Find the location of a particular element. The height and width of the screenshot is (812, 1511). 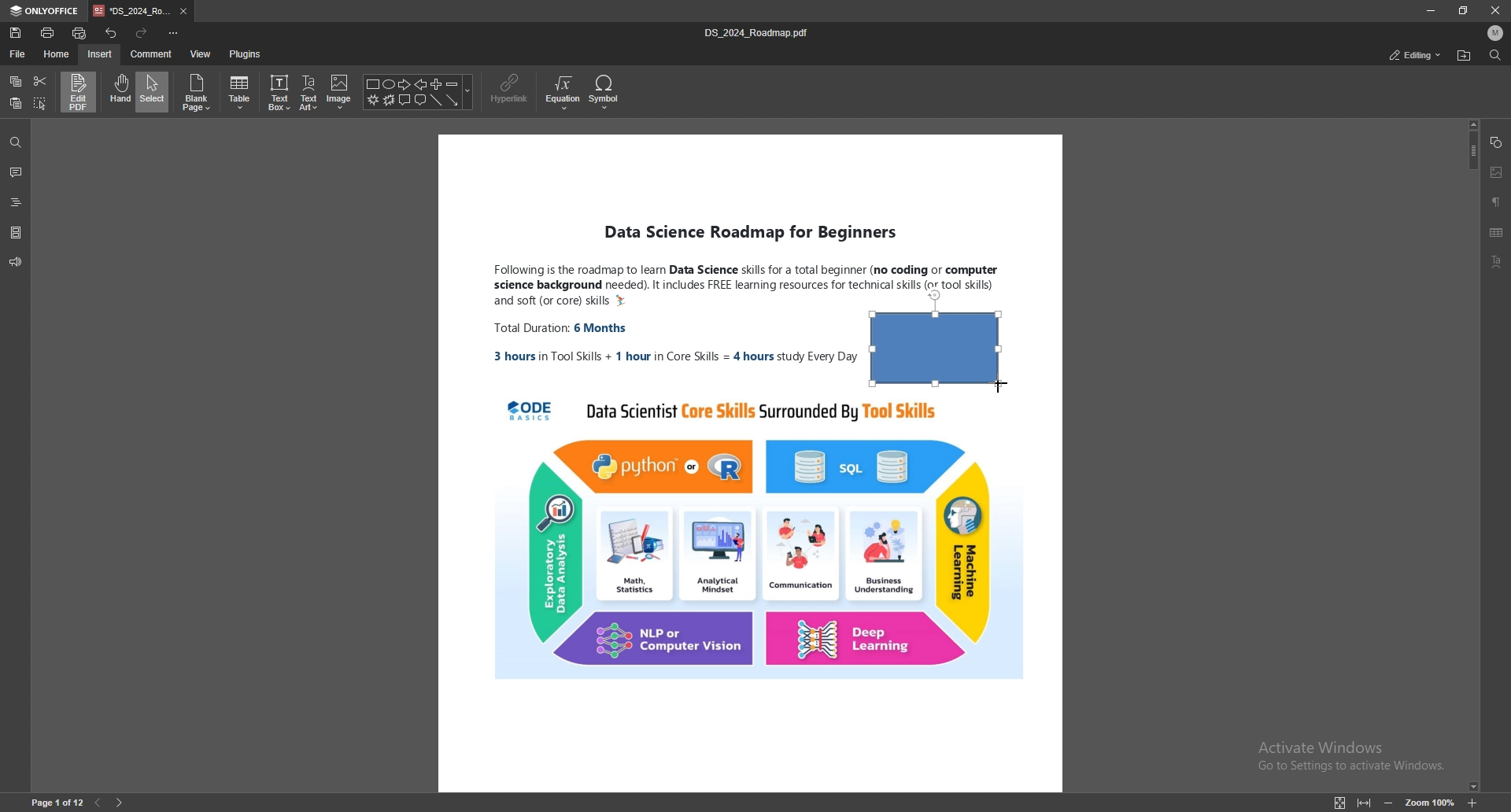

edit pdf is located at coordinates (79, 91).